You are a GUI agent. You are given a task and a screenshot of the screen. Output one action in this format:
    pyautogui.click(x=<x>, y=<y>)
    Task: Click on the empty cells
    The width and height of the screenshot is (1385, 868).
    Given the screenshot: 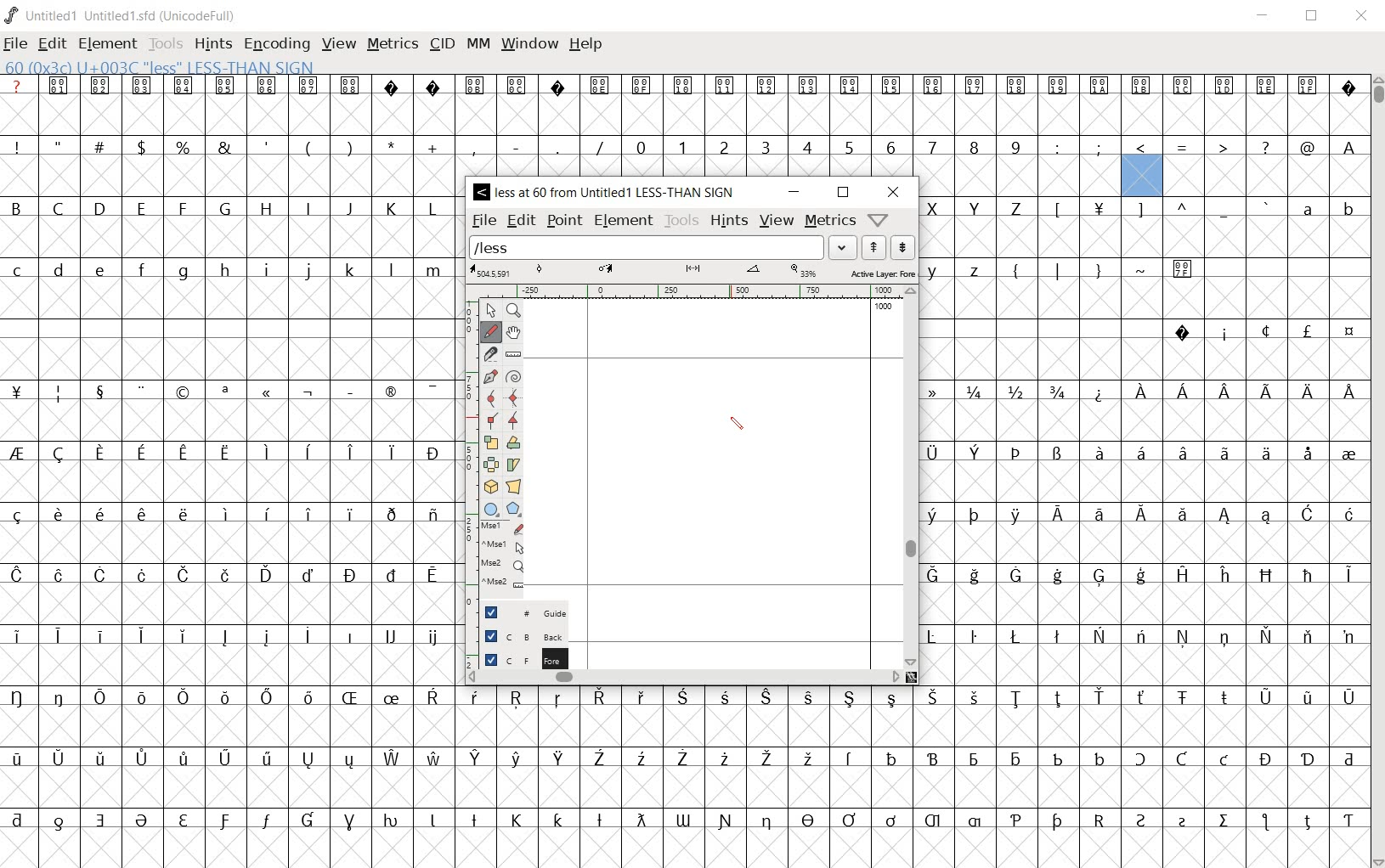 What is the action you would take?
    pyautogui.click(x=681, y=114)
    